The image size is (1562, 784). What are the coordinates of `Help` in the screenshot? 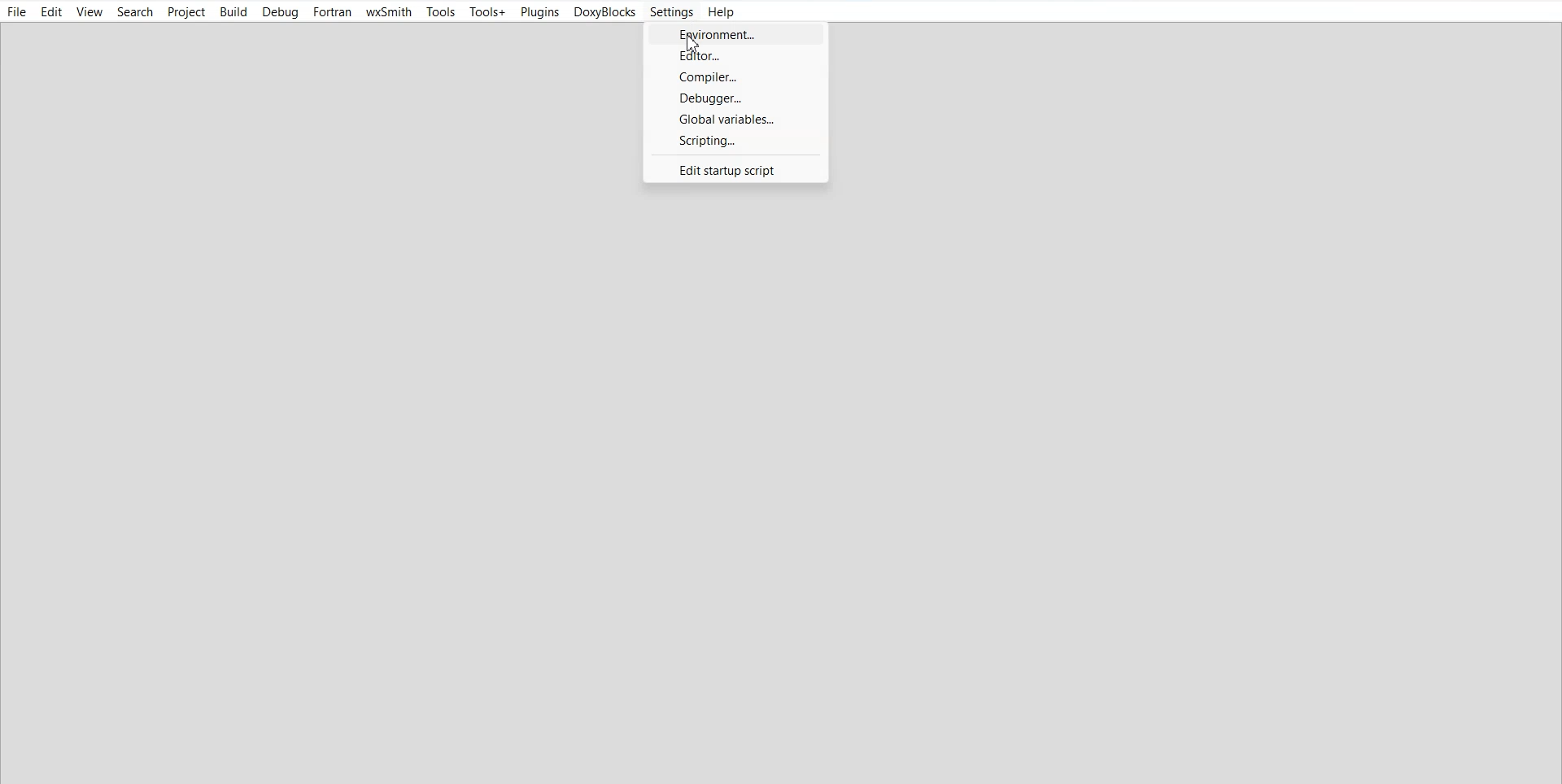 It's located at (722, 12).